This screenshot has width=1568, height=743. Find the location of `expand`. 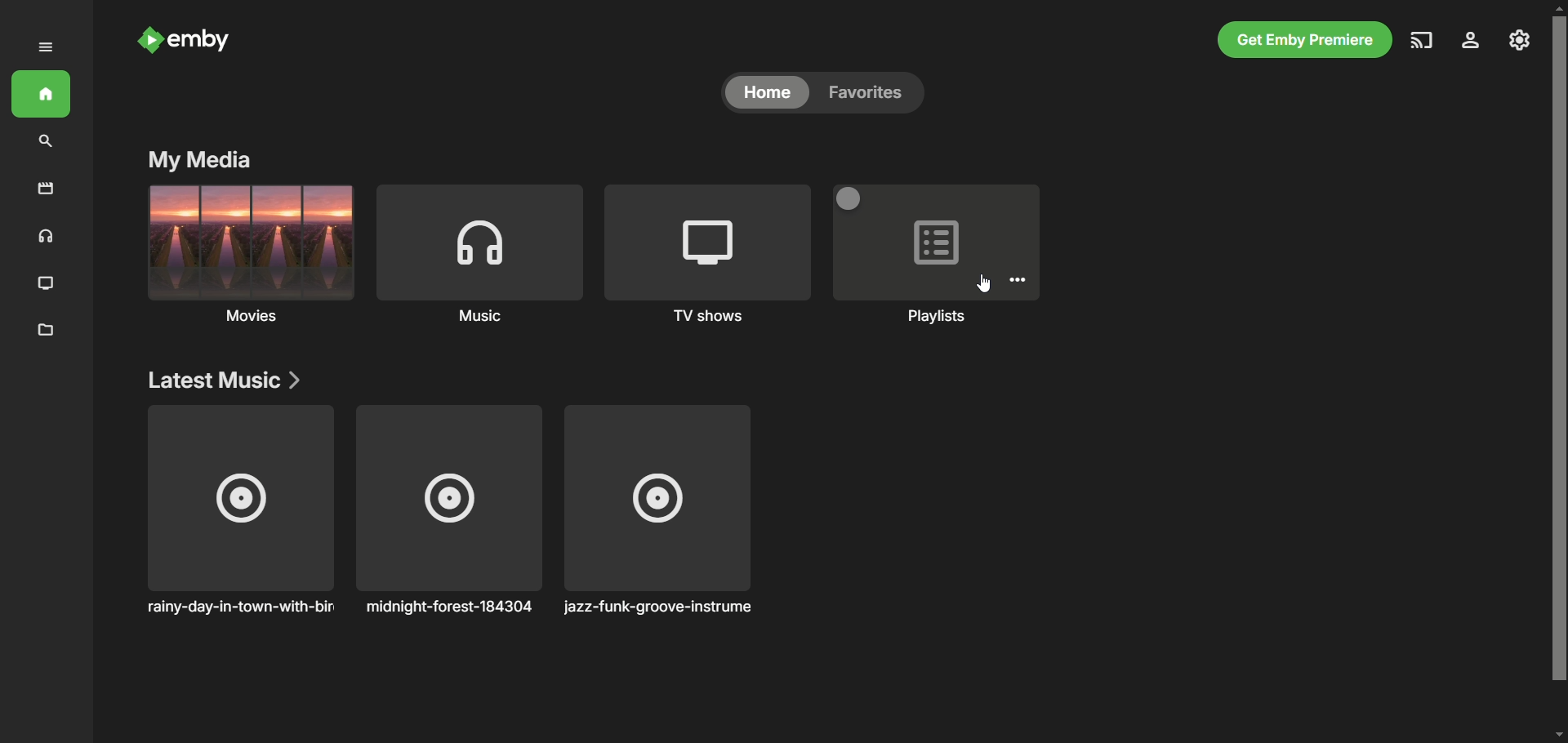

expand is located at coordinates (46, 47).